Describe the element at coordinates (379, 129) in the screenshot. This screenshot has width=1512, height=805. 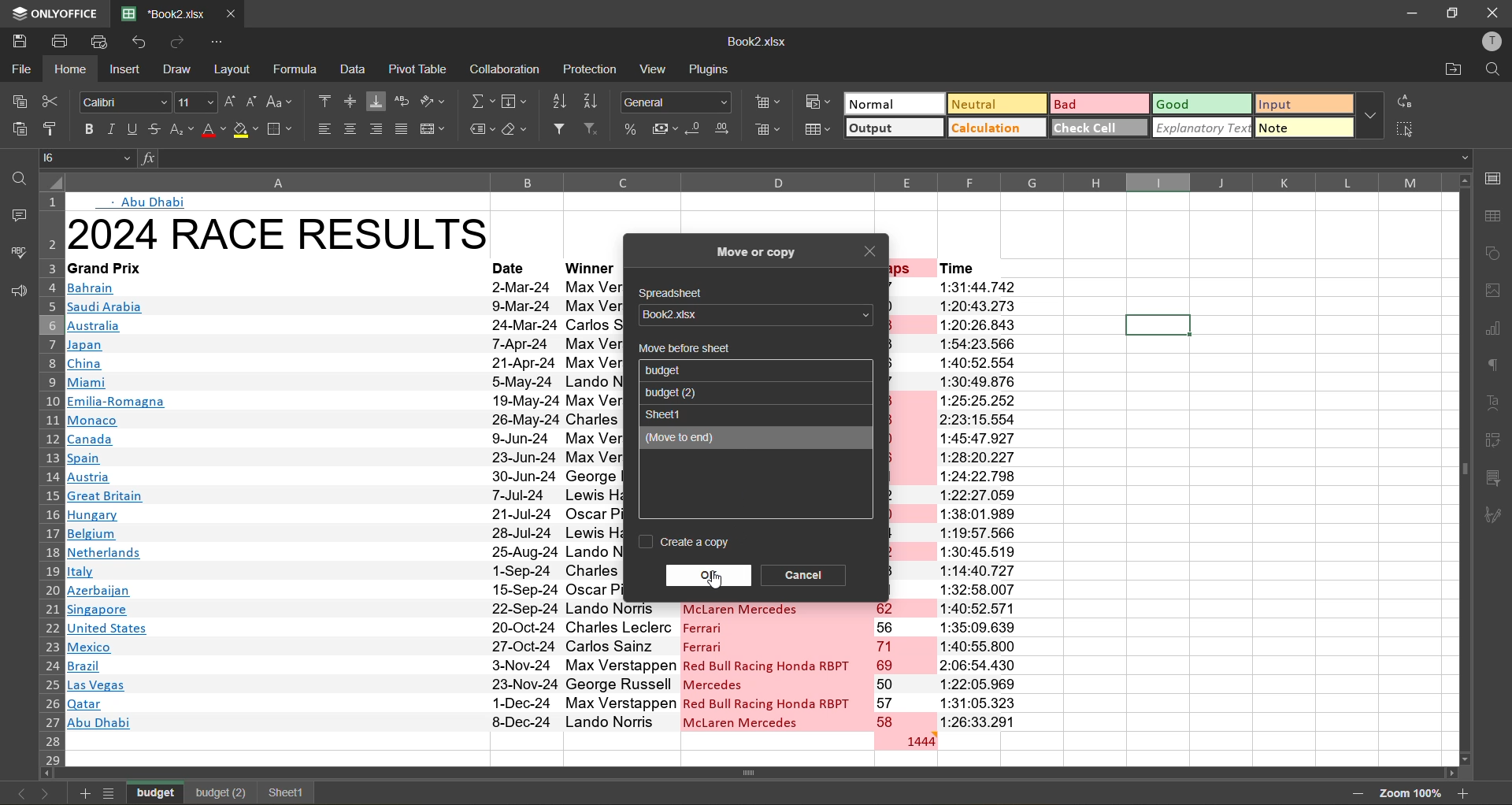
I see `align right` at that location.